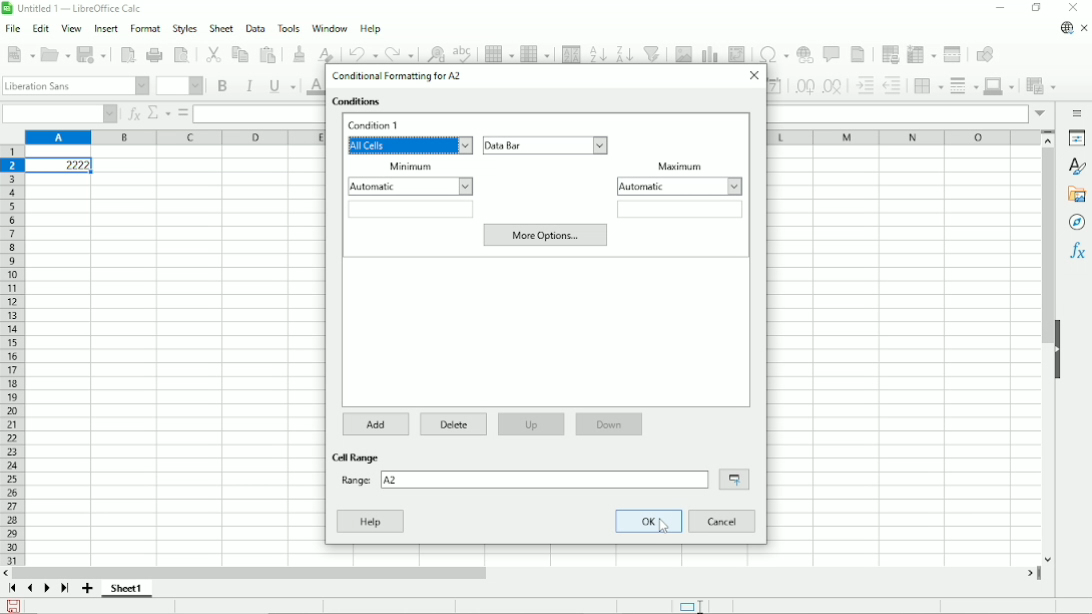 The height and width of the screenshot is (614, 1092). I want to click on range: A2, so click(524, 479).